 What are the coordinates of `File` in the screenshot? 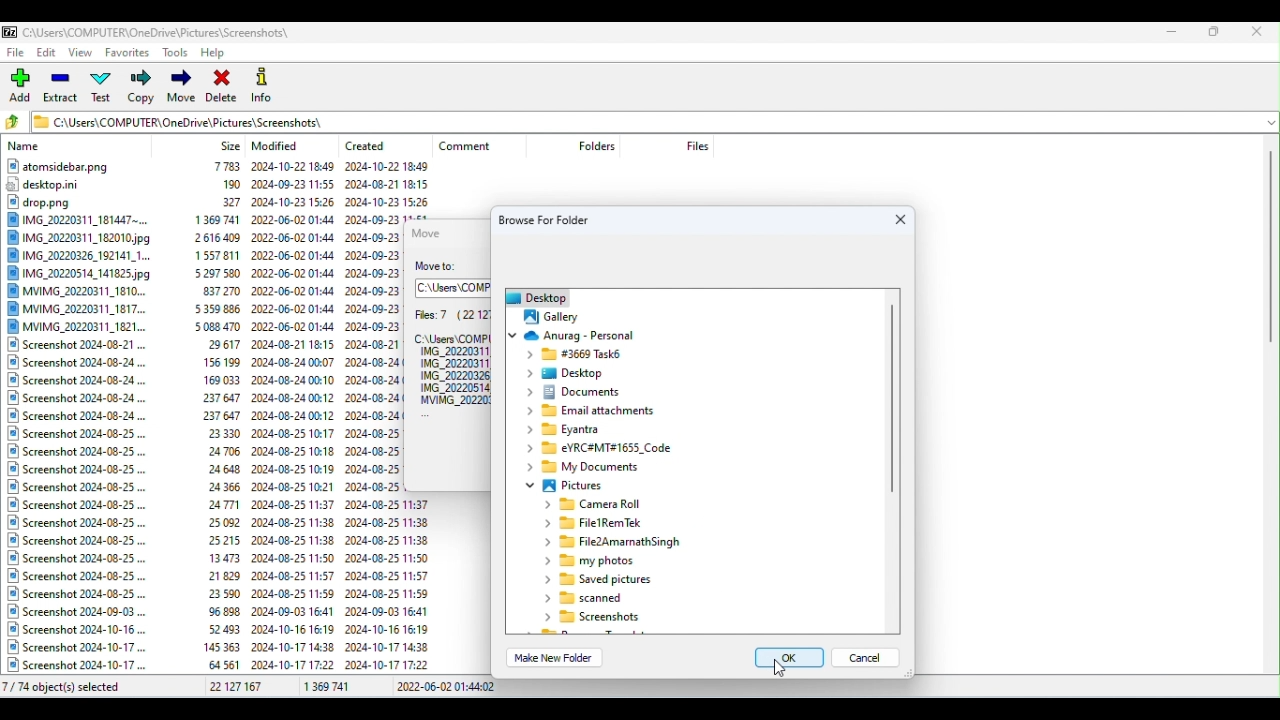 It's located at (618, 543).